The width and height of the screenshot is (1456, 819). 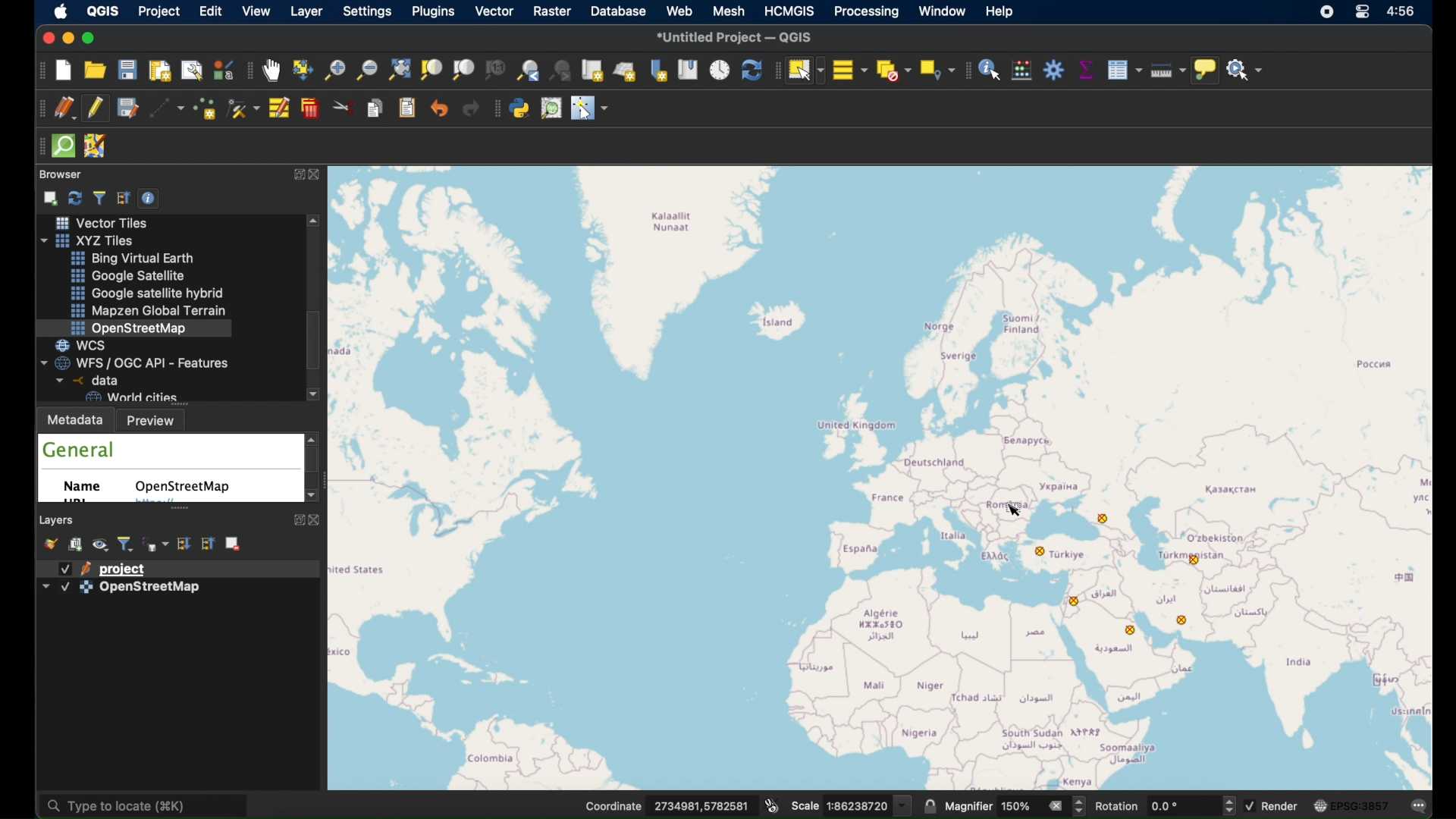 What do you see at coordinates (127, 108) in the screenshot?
I see `save project` at bounding box center [127, 108].